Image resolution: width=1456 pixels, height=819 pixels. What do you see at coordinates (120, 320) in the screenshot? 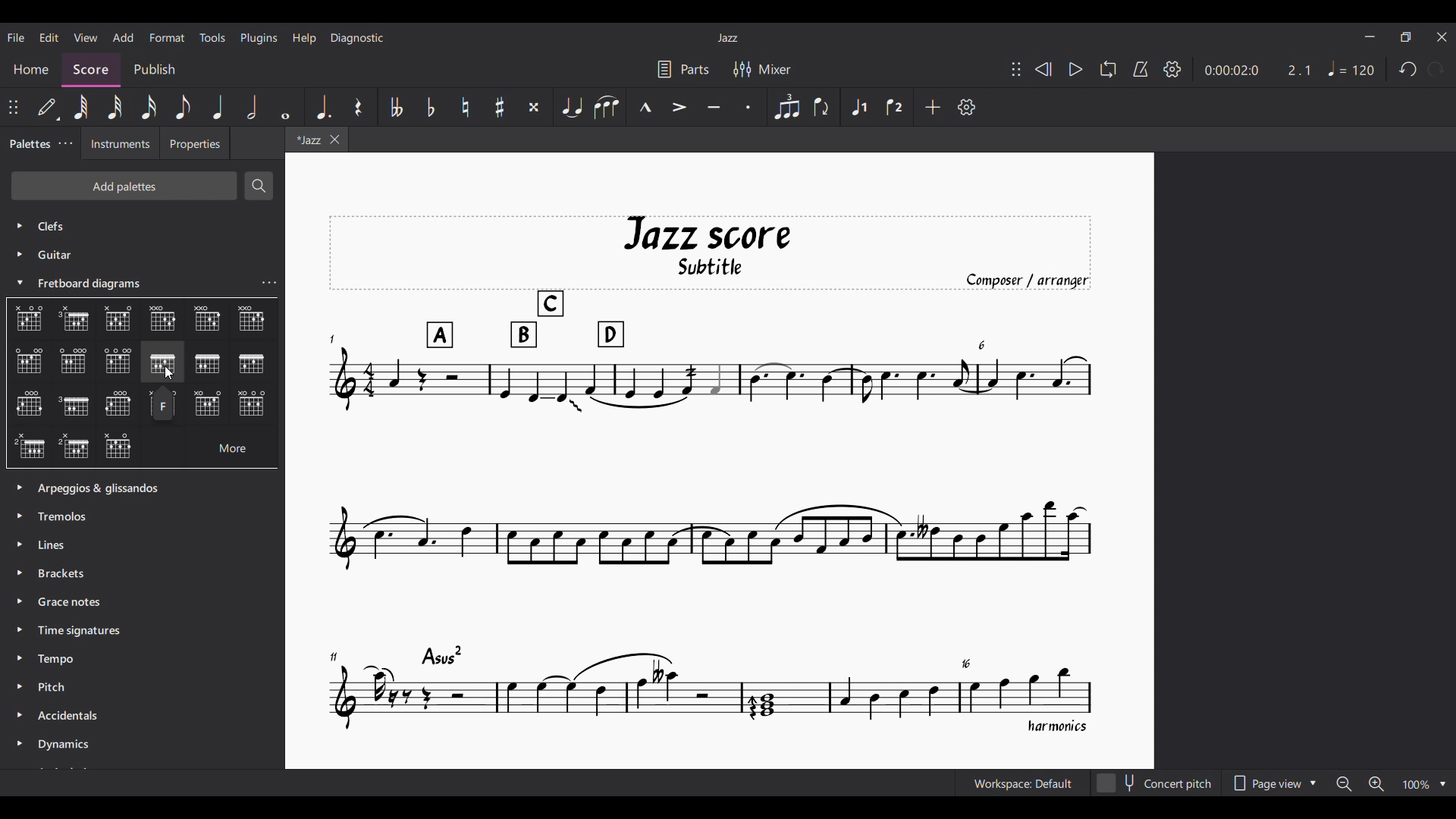
I see `Chart3` at bounding box center [120, 320].